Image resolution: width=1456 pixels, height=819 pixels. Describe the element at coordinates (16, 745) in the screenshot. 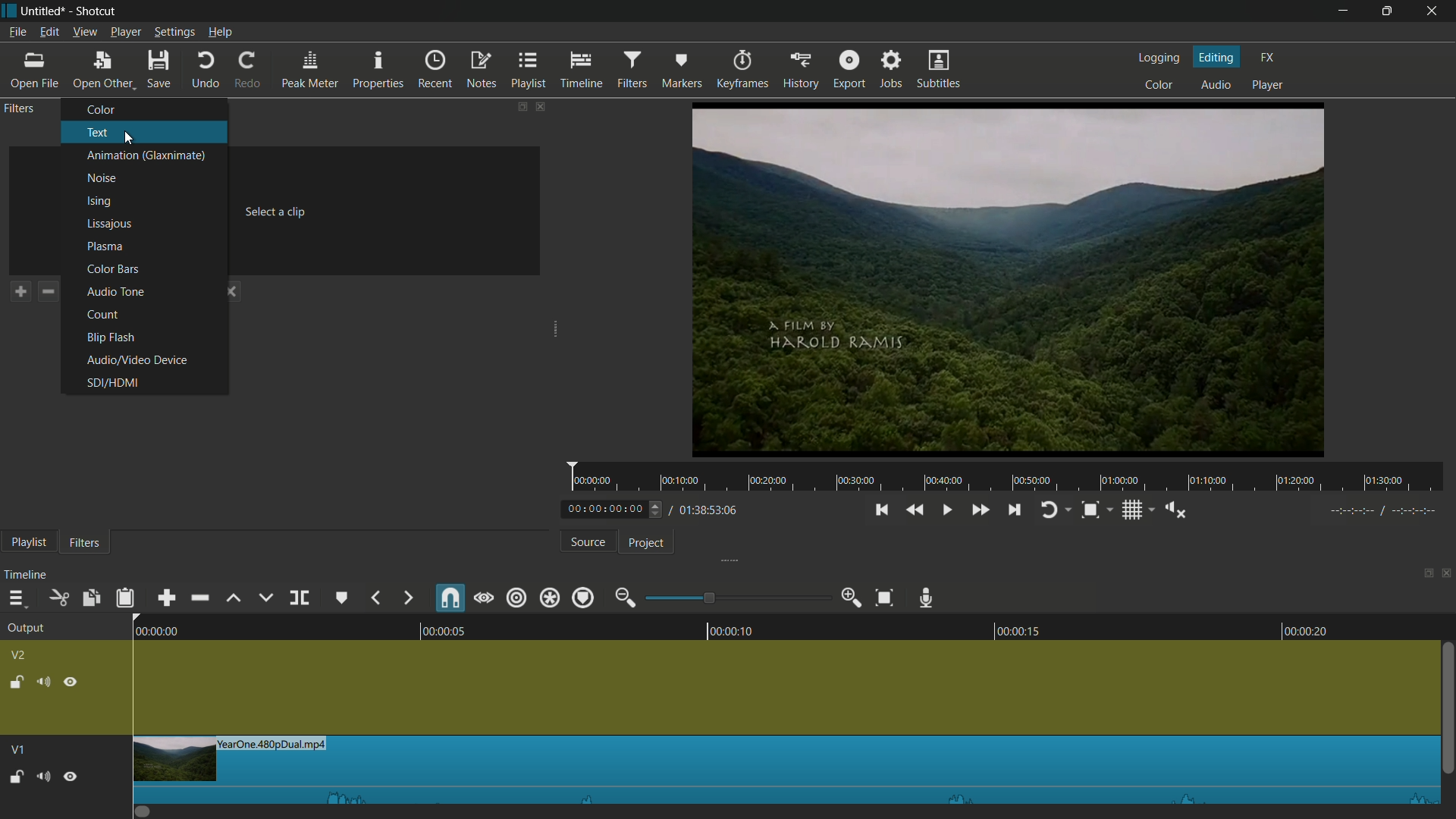

I see `V1` at that location.